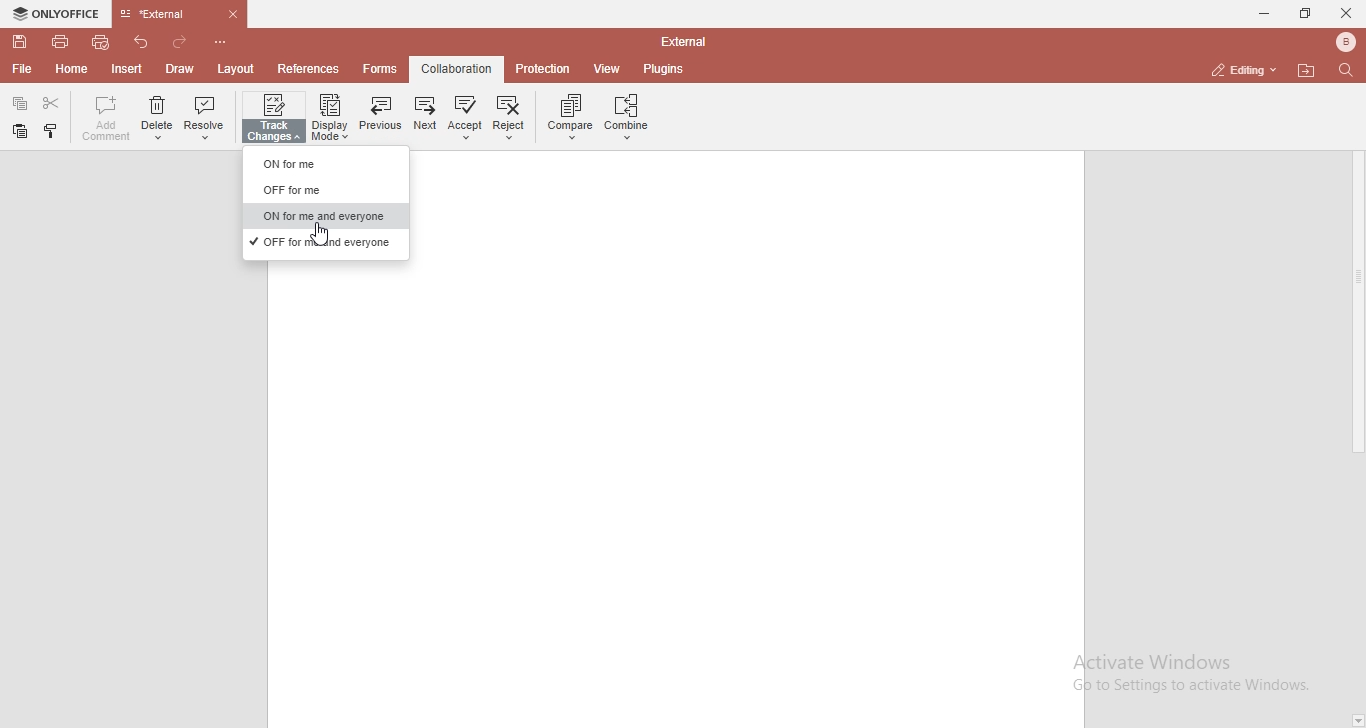 Image resolution: width=1366 pixels, height=728 pixels. Describe the element at coordinates (1307, 12) in the screenshot. I see `restore` at that location.